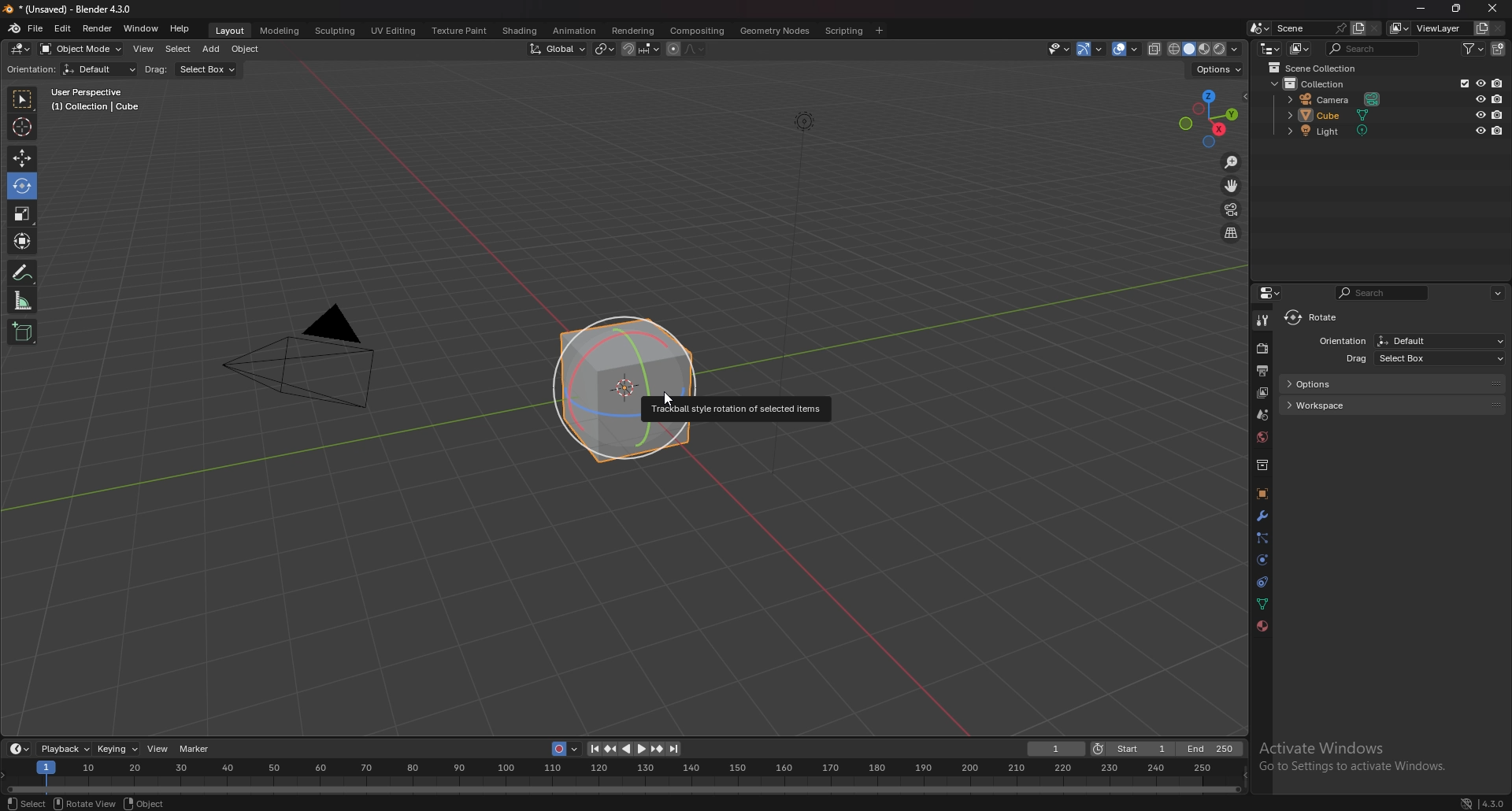 The image size is (1512, 811). What do you see at coordinates (66, 748) in the screenshot?
I see `playback` at bounding box center [66, 748].